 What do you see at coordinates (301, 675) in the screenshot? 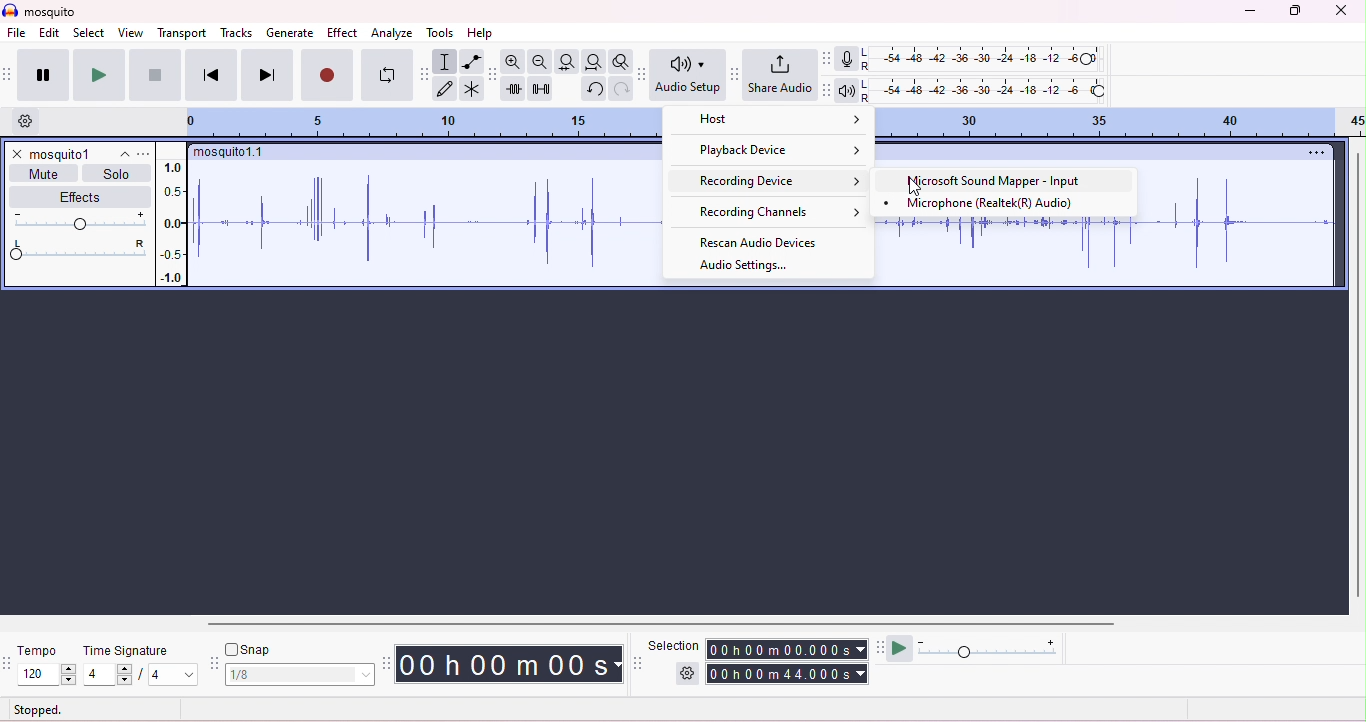
I see `select snap` at bounding box center [301, 675].